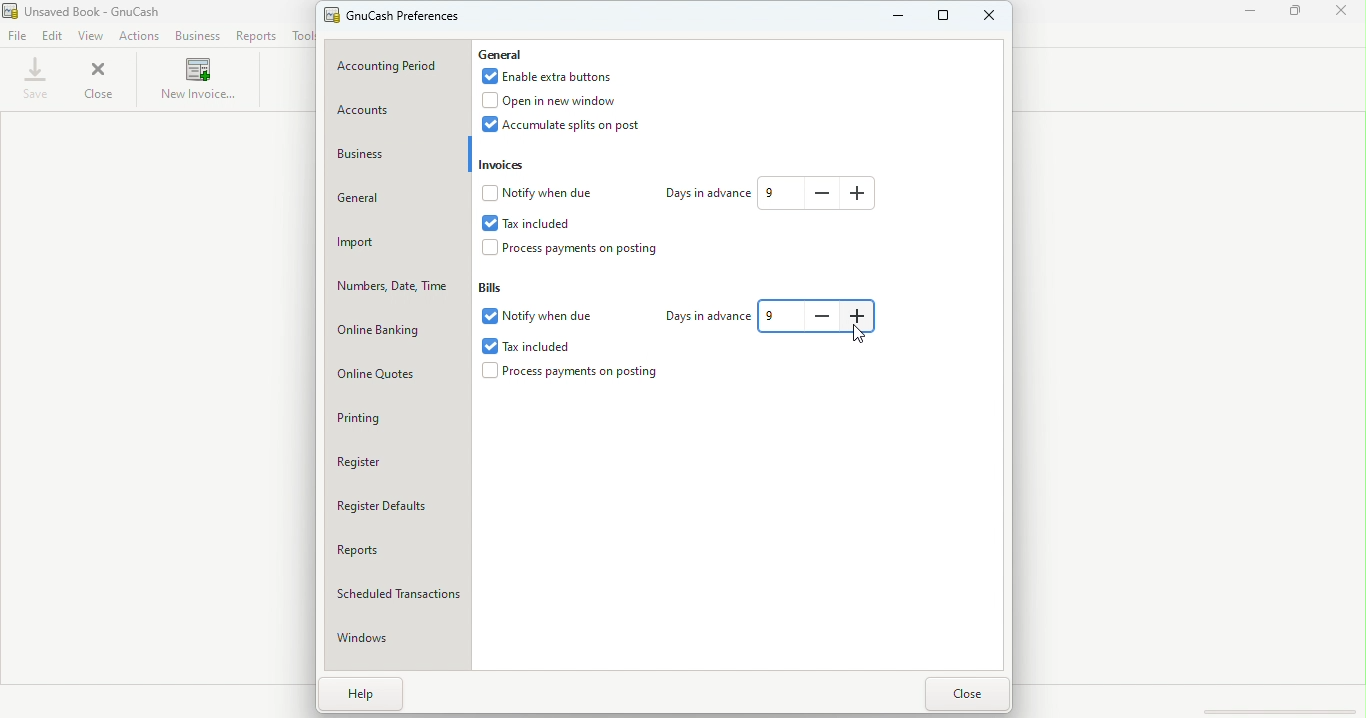 The height and width of the screenshot is (718, 1366). Describe the element at coordinates (355, 693) in the screenshot. I see `Help` at that location.